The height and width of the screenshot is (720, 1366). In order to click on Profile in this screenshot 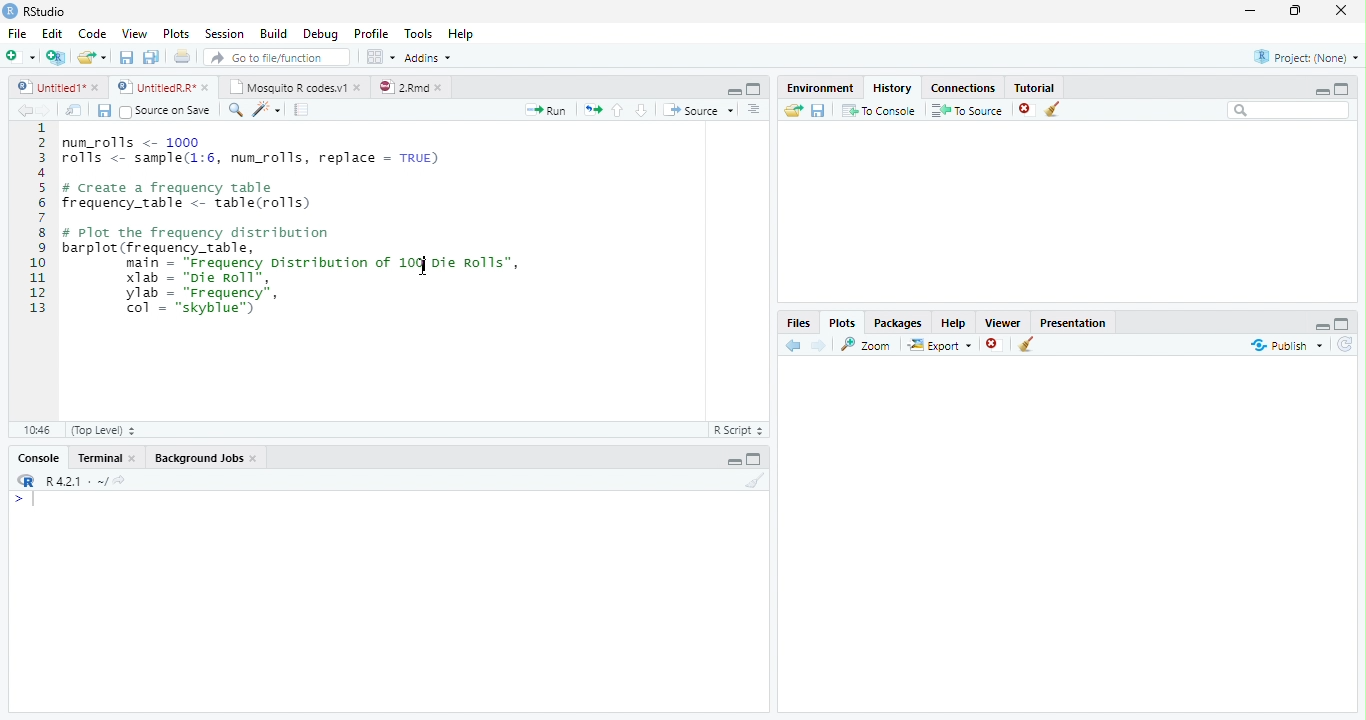, I will do `click(374, 33)`.